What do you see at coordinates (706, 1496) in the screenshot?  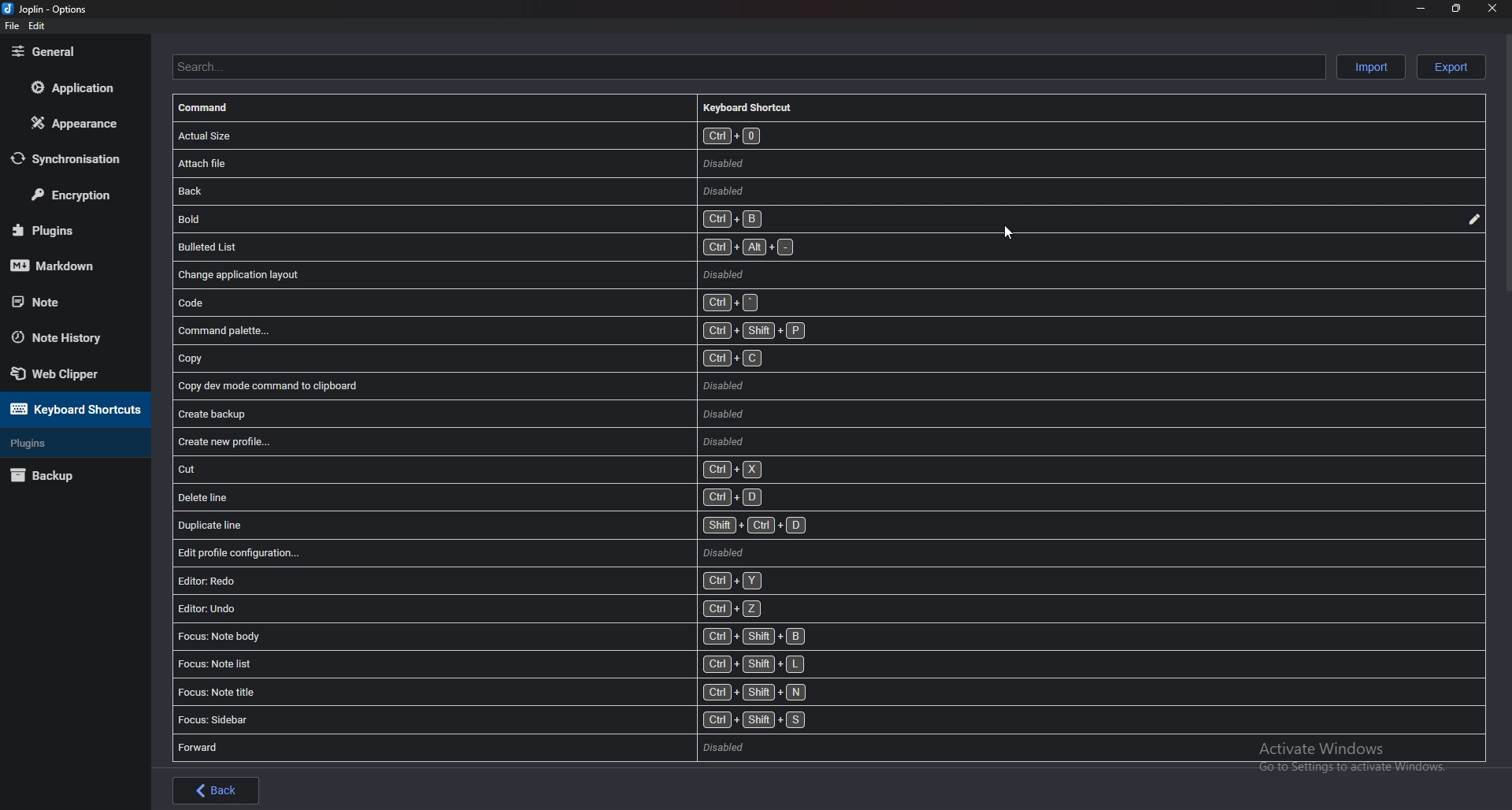 I see `forward` at bounding box center [706, 1496].